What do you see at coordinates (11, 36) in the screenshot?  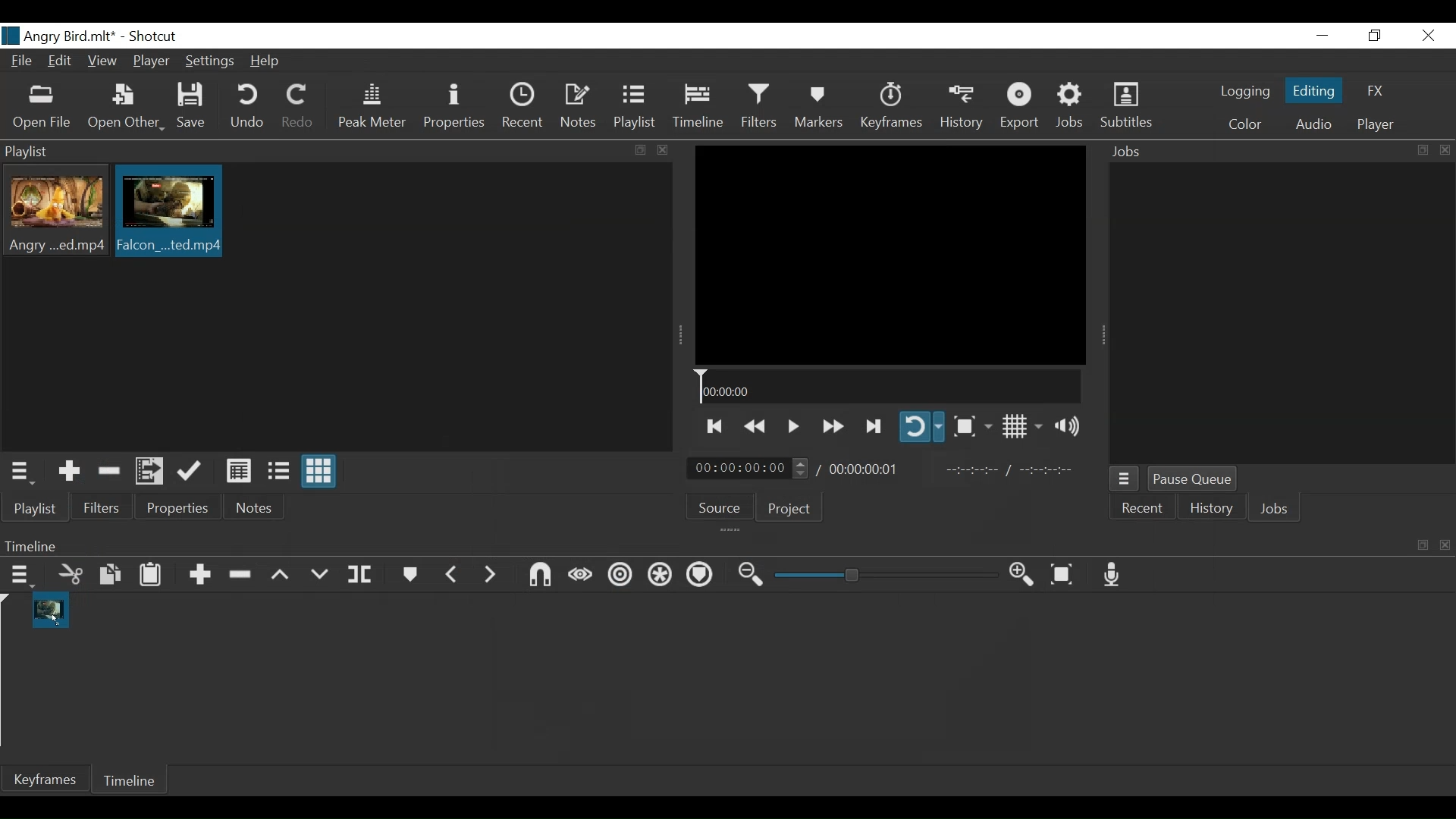 I see `logo` at bounding box center [11, 36].